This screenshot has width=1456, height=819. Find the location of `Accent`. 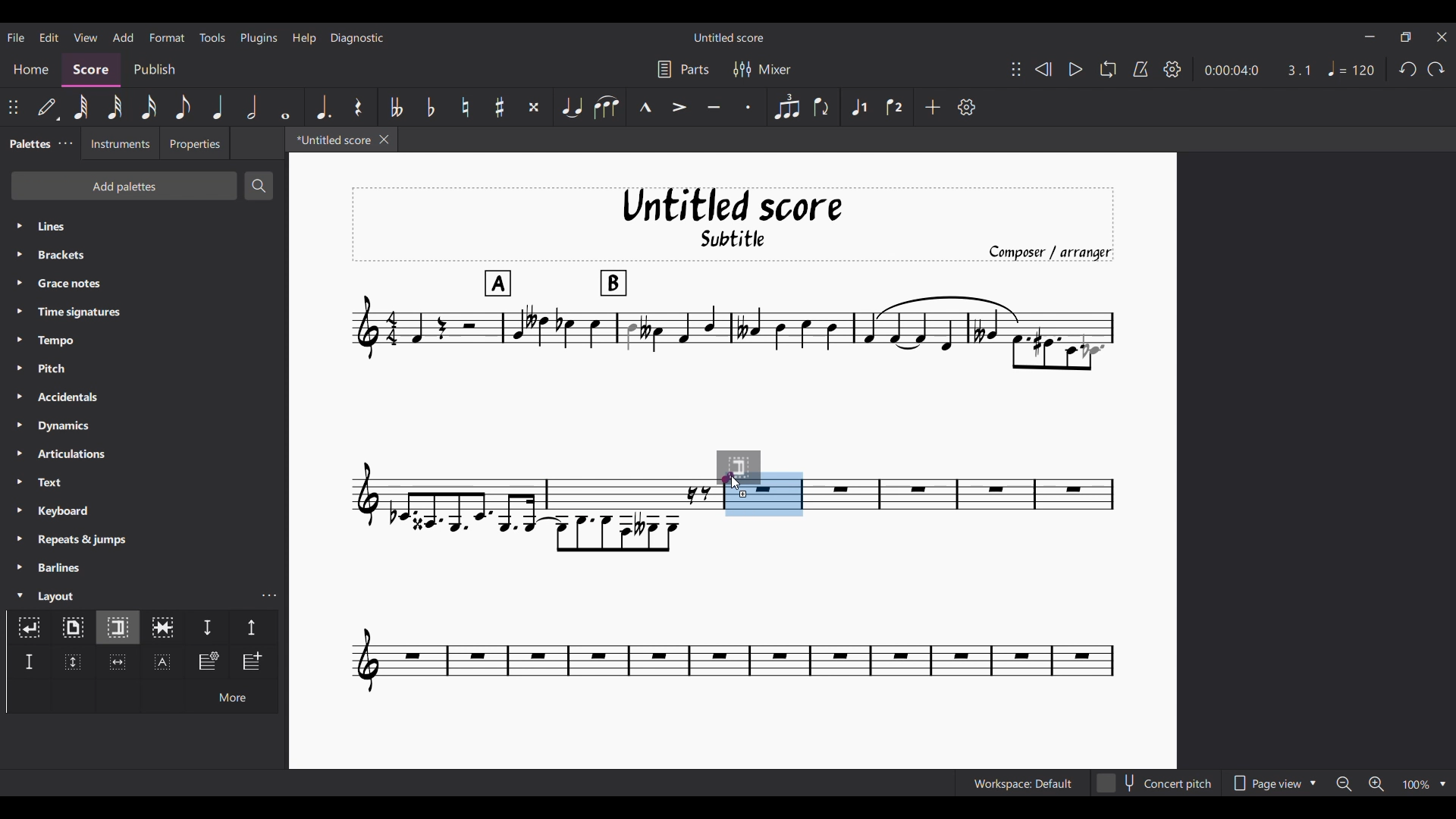

Accent is located at coordinates (679, 107).